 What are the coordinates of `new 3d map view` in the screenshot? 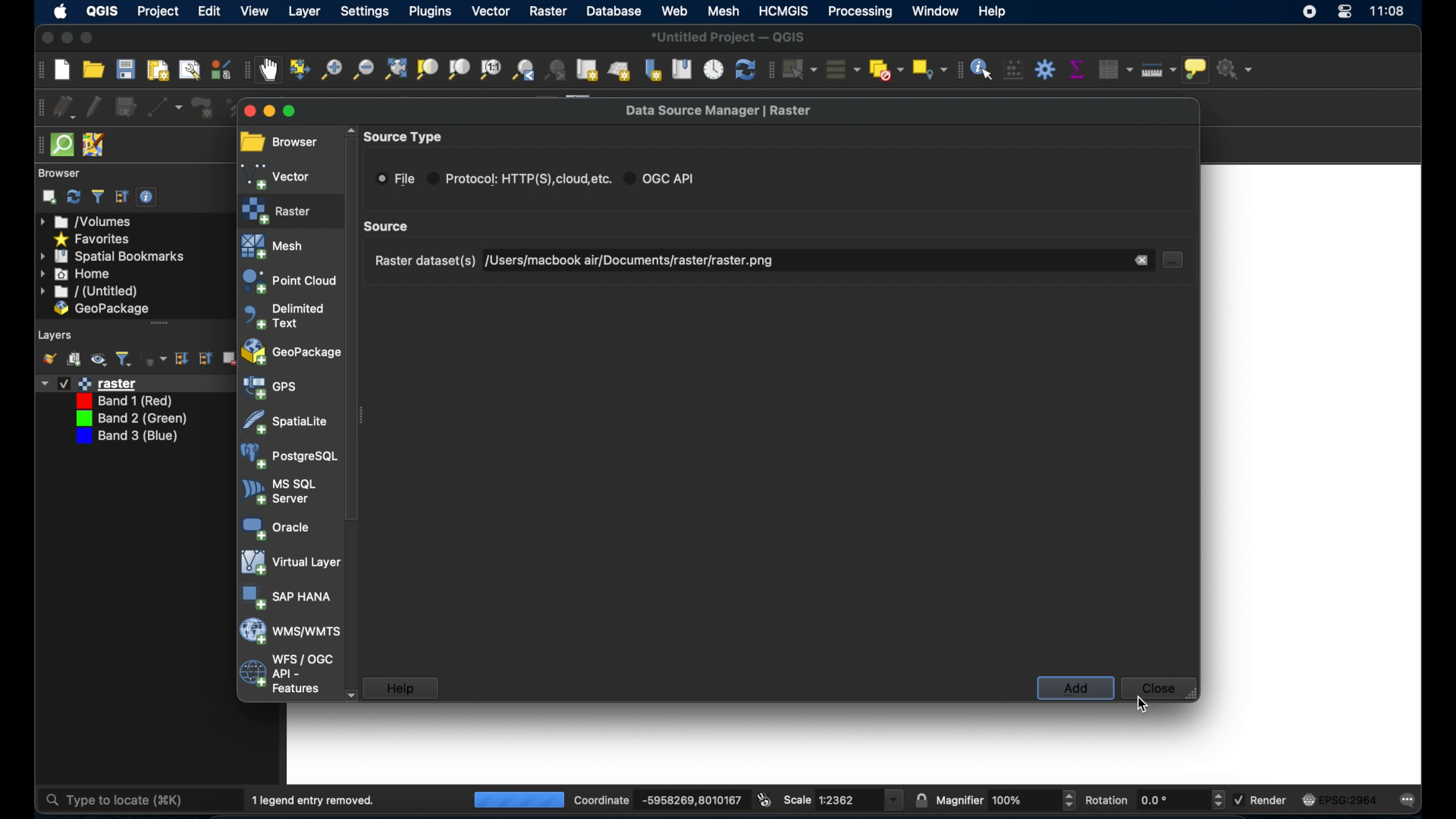 It's located at (620, 72).